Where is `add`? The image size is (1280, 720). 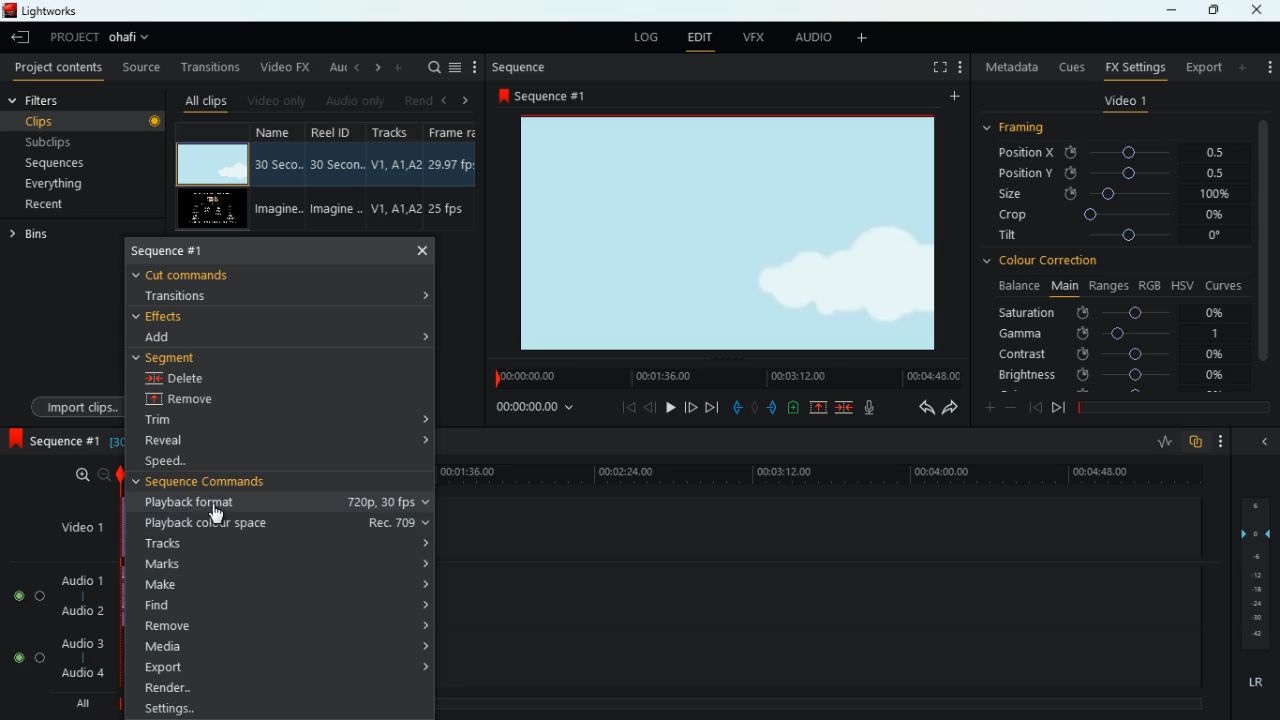 add is located at coordinates (863, 39).